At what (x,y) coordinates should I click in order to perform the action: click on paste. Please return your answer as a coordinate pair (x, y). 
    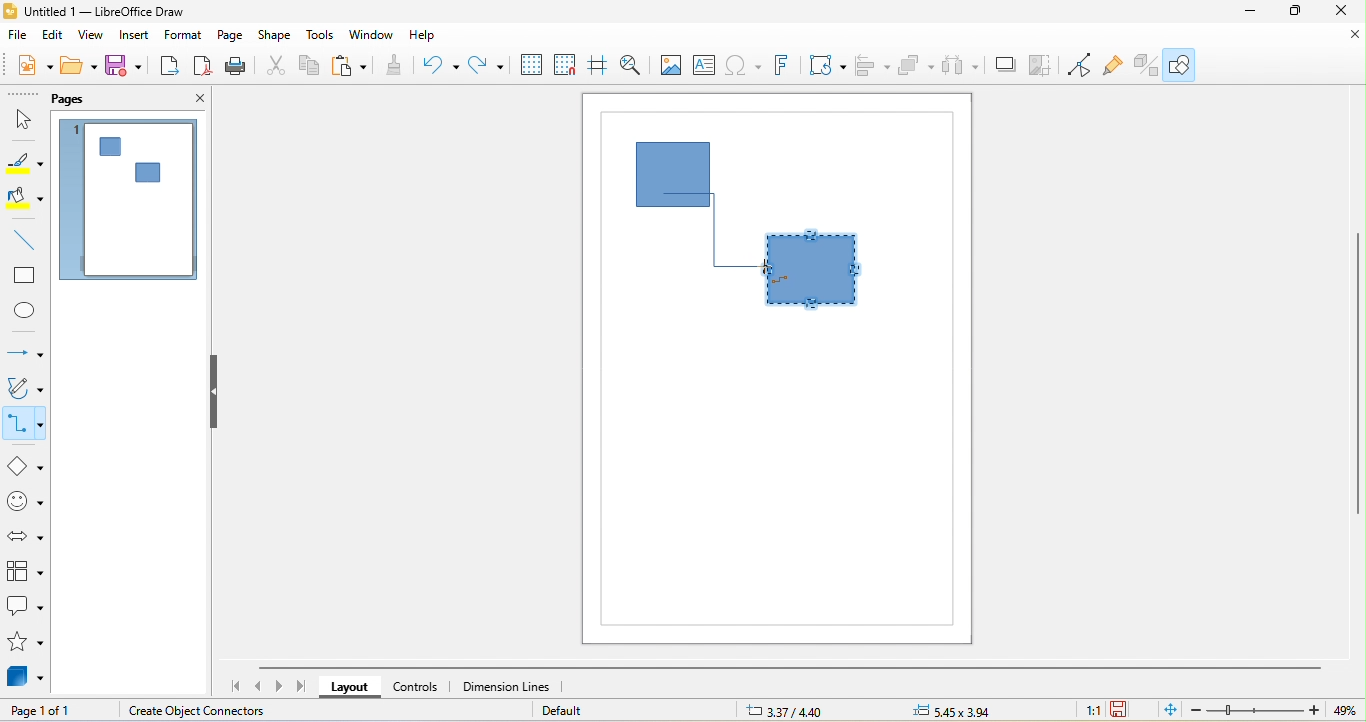
    Looking at the image, I should click on (354, 66).